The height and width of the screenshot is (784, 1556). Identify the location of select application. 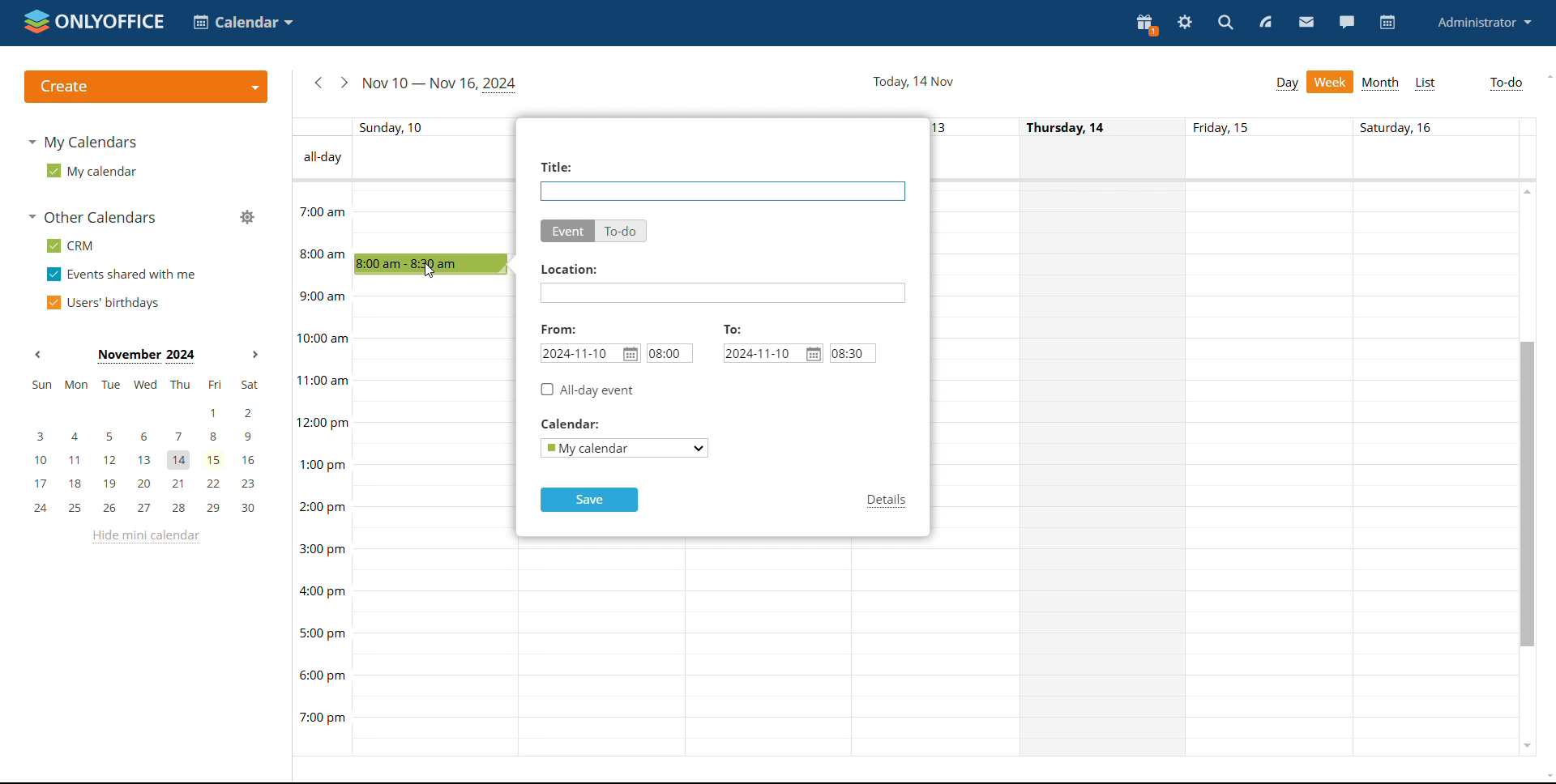
(243, 23).